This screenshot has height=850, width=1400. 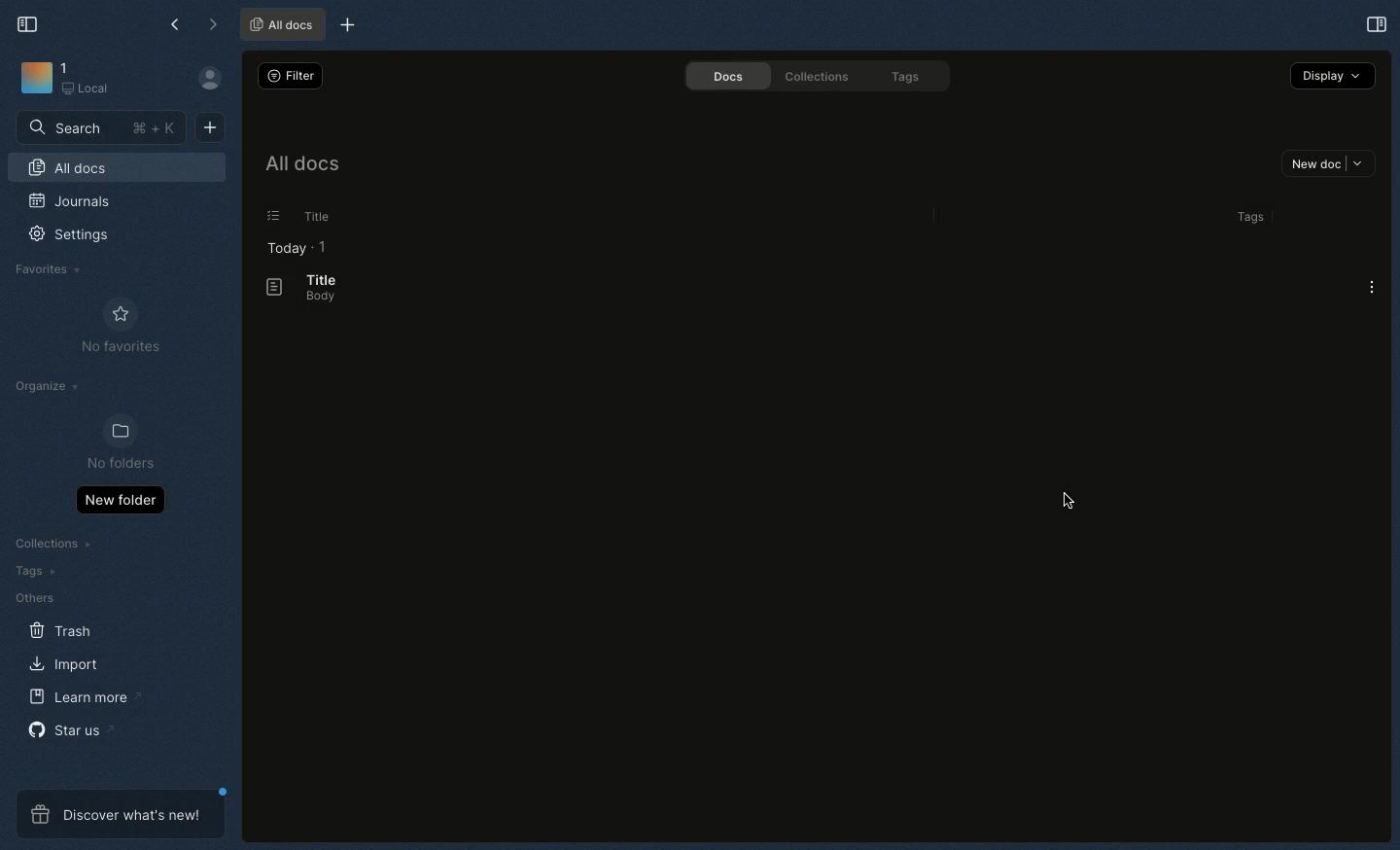 What do you see at coordinates (113, 443) in the screenshot?
I see `No folders` at bounding box center [113, 443].